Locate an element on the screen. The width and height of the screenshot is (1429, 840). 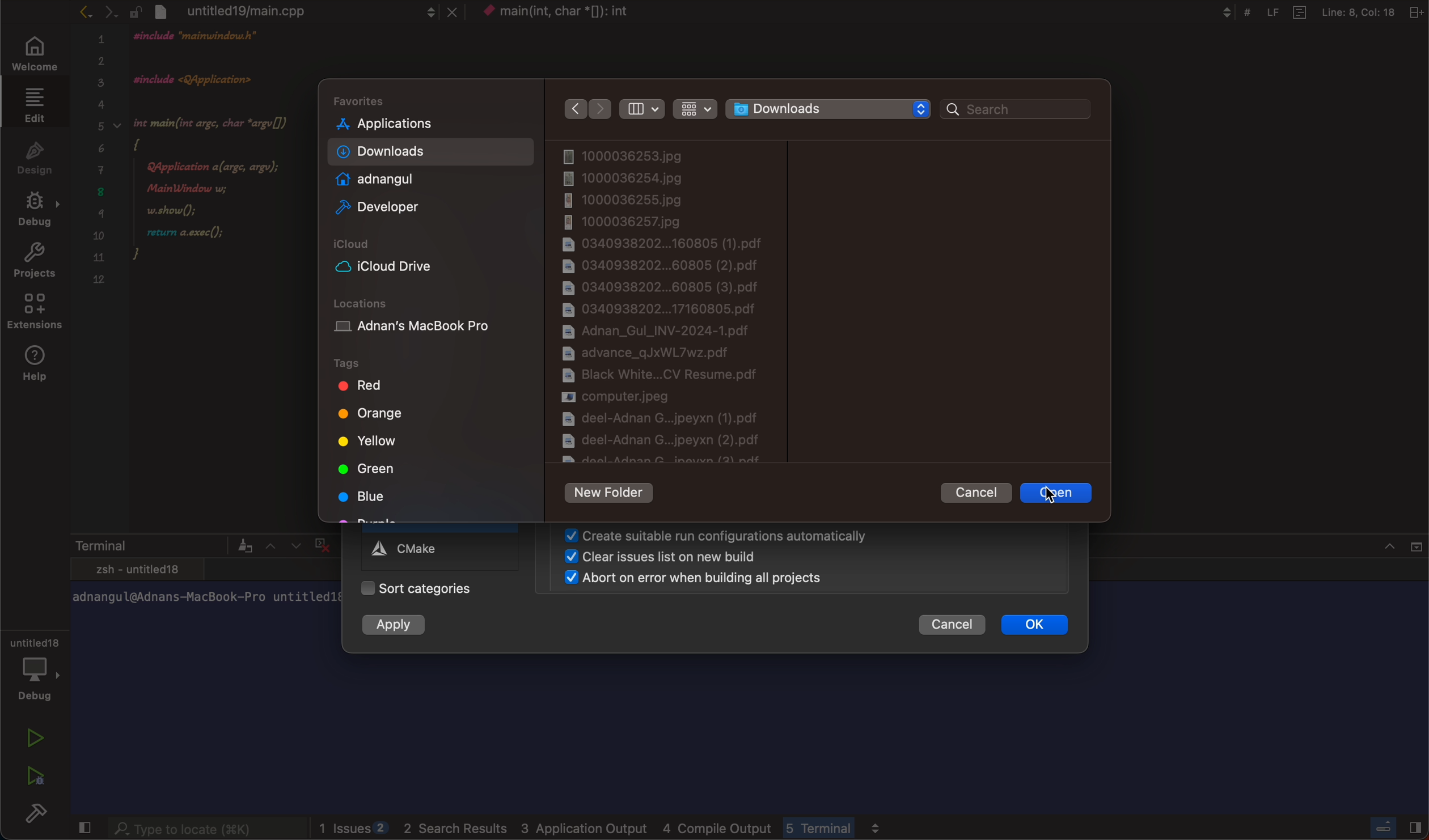
new folder is located at coordinates (610, 493).